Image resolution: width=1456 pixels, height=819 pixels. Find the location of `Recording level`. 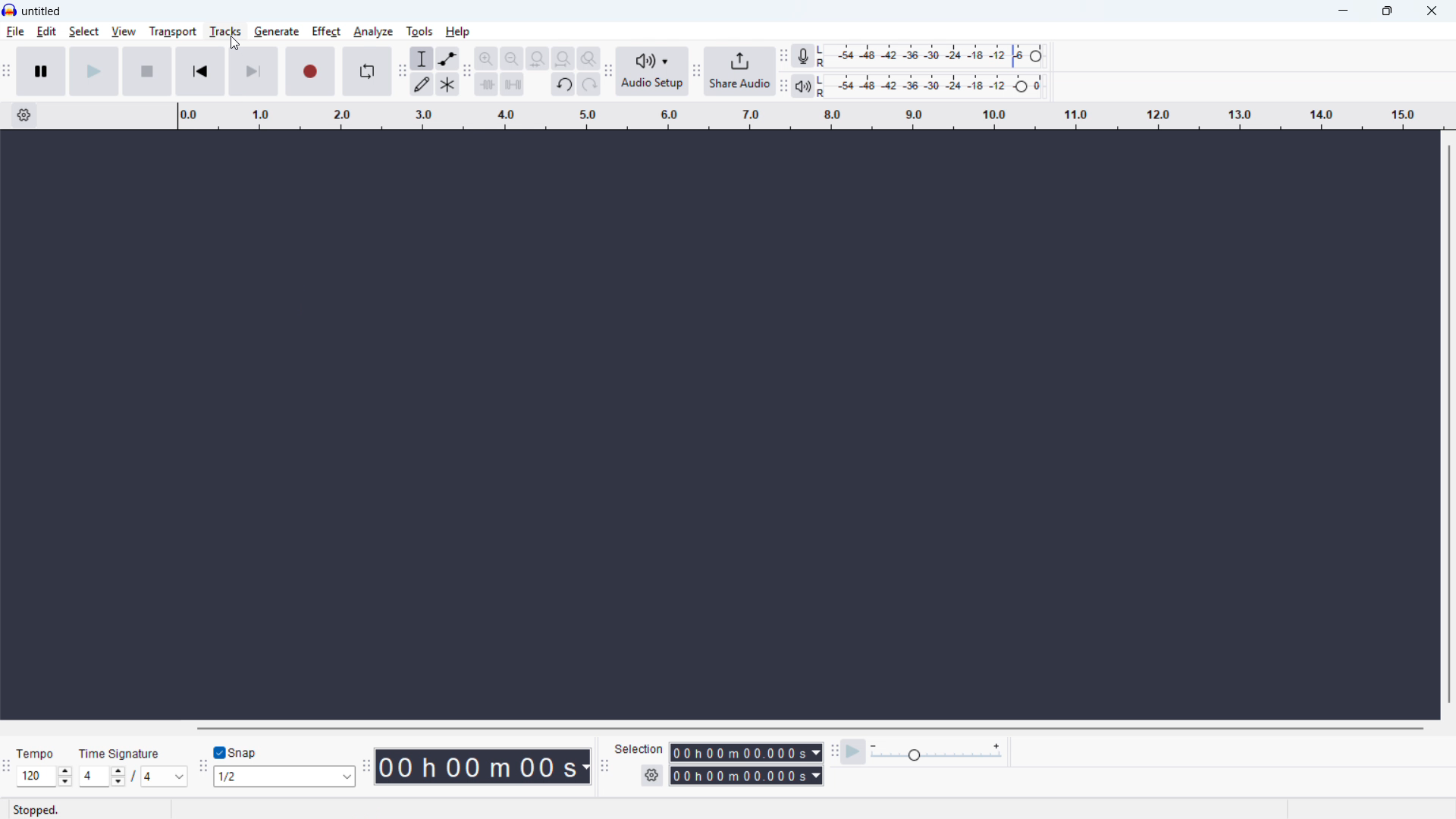

Recording level is located at coordinates (929, 57).